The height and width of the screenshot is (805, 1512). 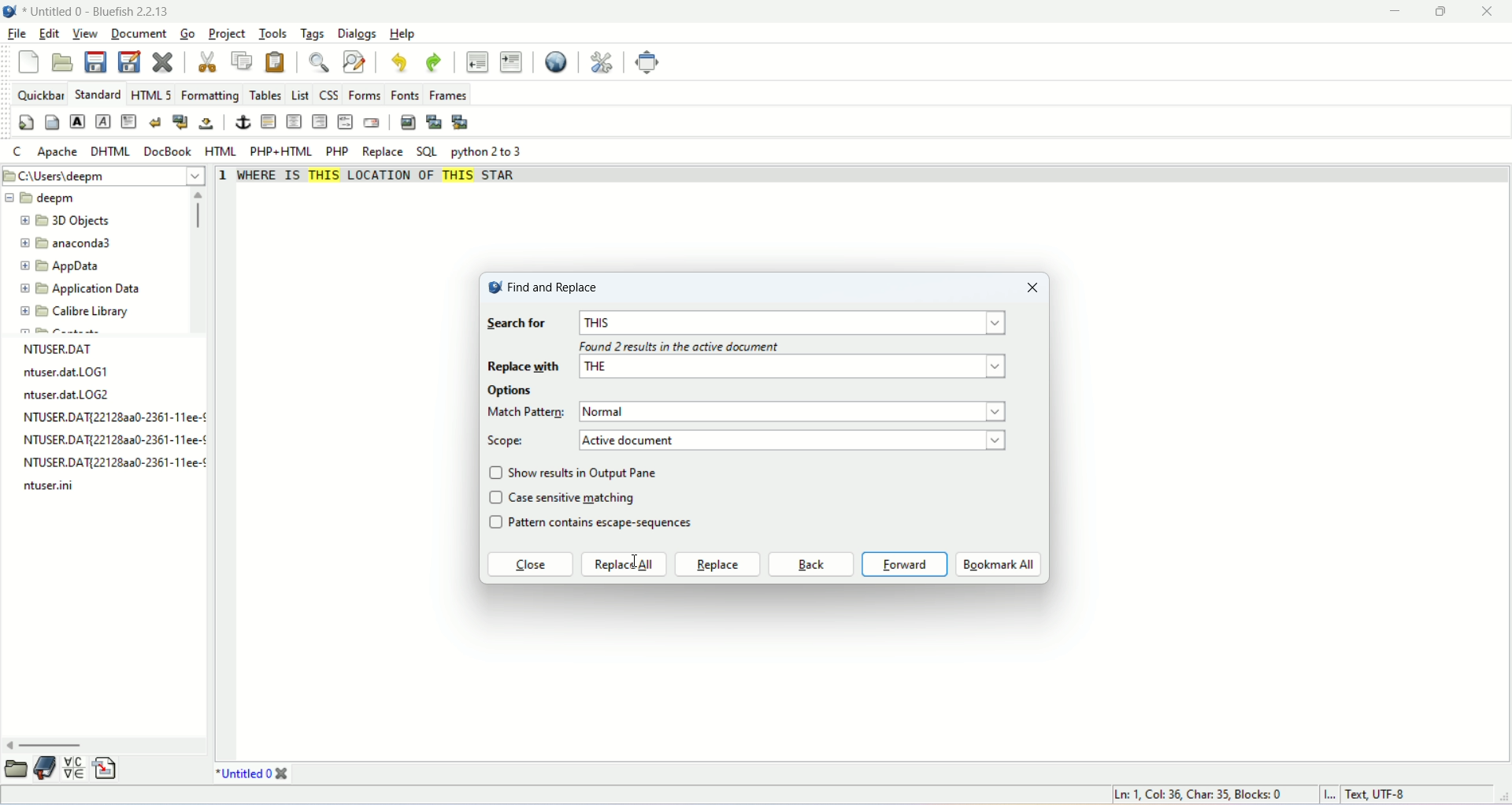 What do you see at coordinates (679, 348) in the screenshot?
I see `found 2  results in the active document` at bounding box center [679, 348].